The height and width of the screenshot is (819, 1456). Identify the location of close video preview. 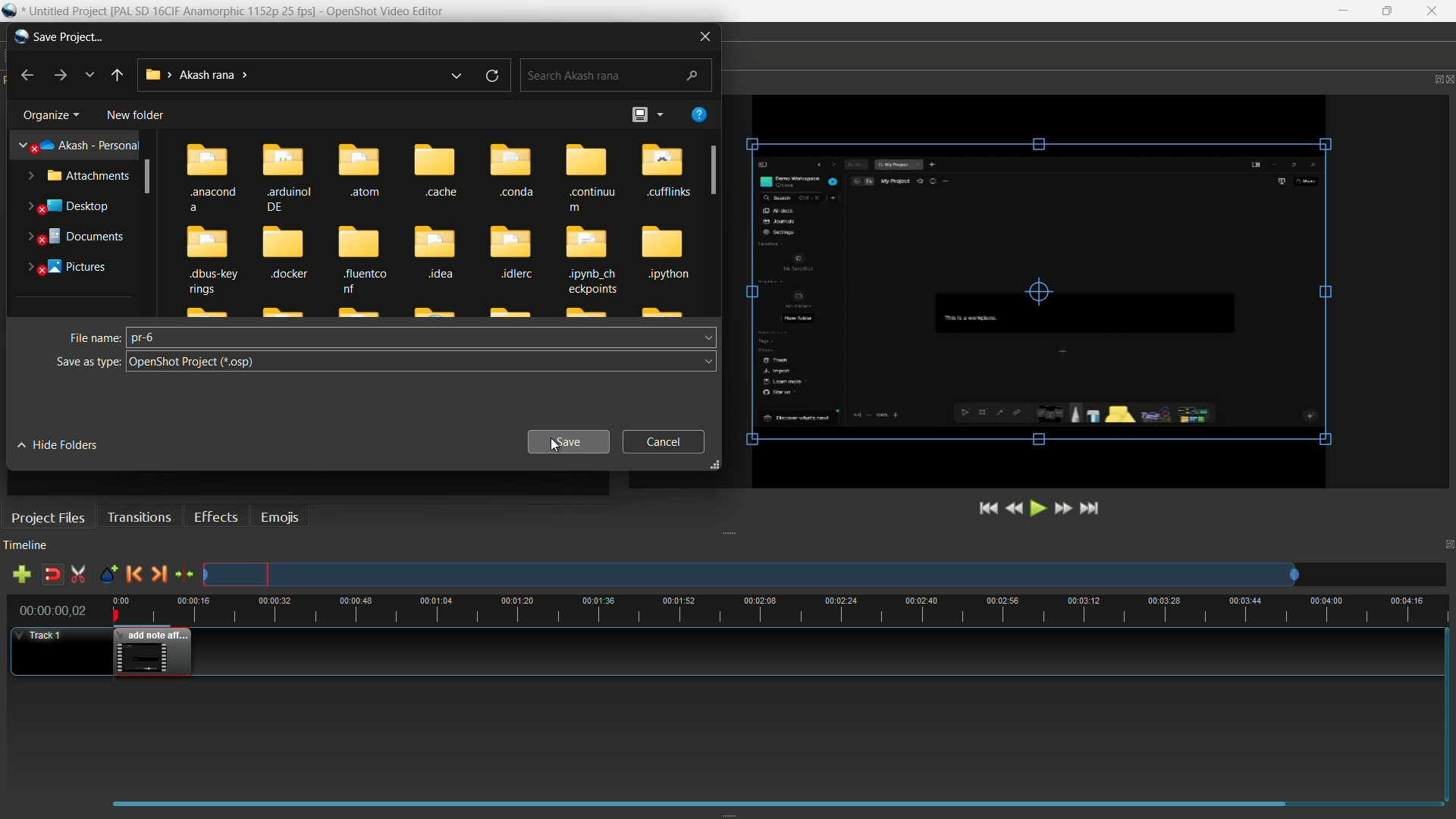
(1447, 78).